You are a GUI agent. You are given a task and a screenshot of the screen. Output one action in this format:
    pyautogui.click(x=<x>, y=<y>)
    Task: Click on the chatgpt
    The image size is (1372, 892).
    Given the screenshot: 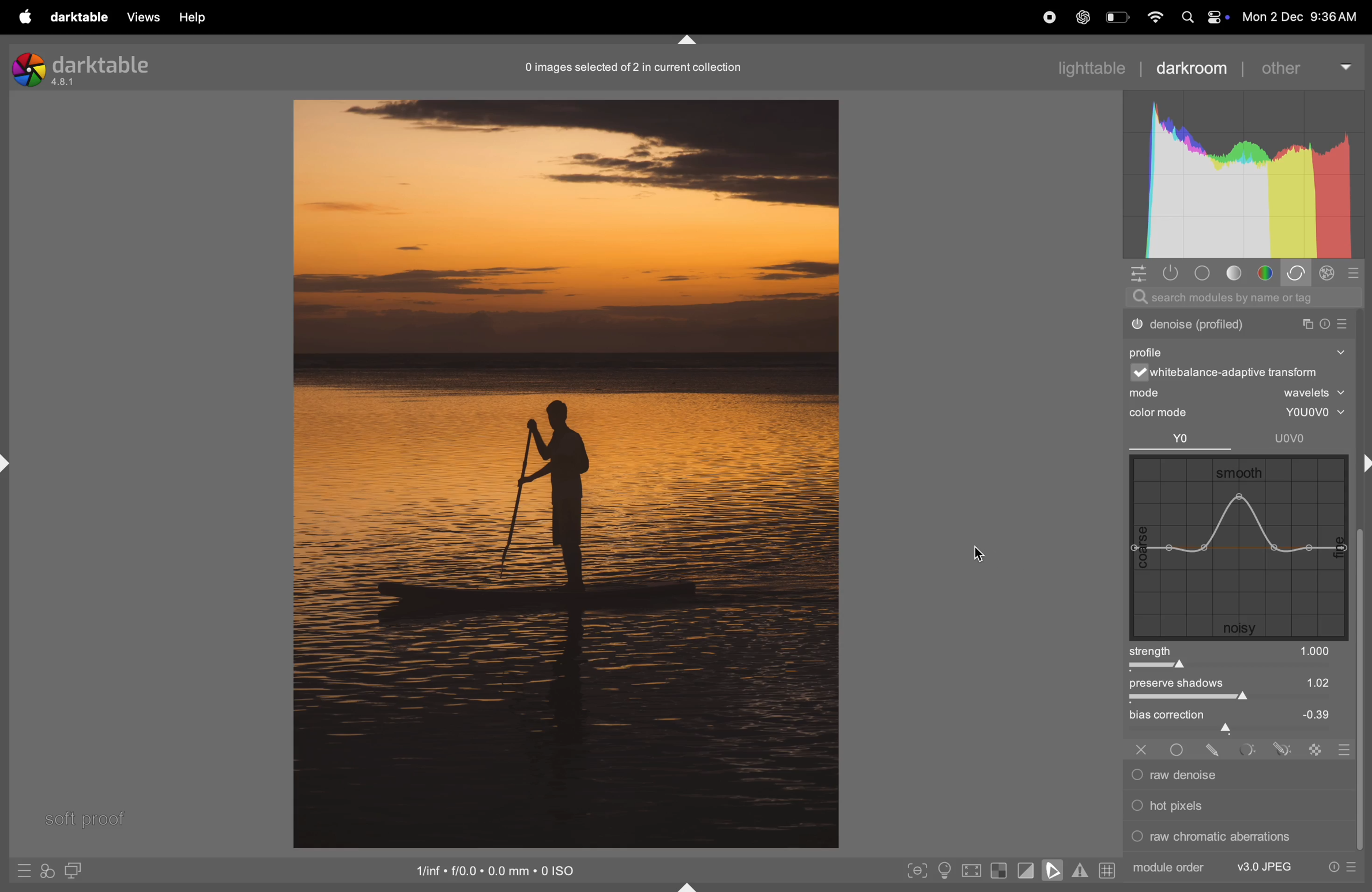 What is the action you would take?
    pyautogui.click(x=1081, y=18)
    